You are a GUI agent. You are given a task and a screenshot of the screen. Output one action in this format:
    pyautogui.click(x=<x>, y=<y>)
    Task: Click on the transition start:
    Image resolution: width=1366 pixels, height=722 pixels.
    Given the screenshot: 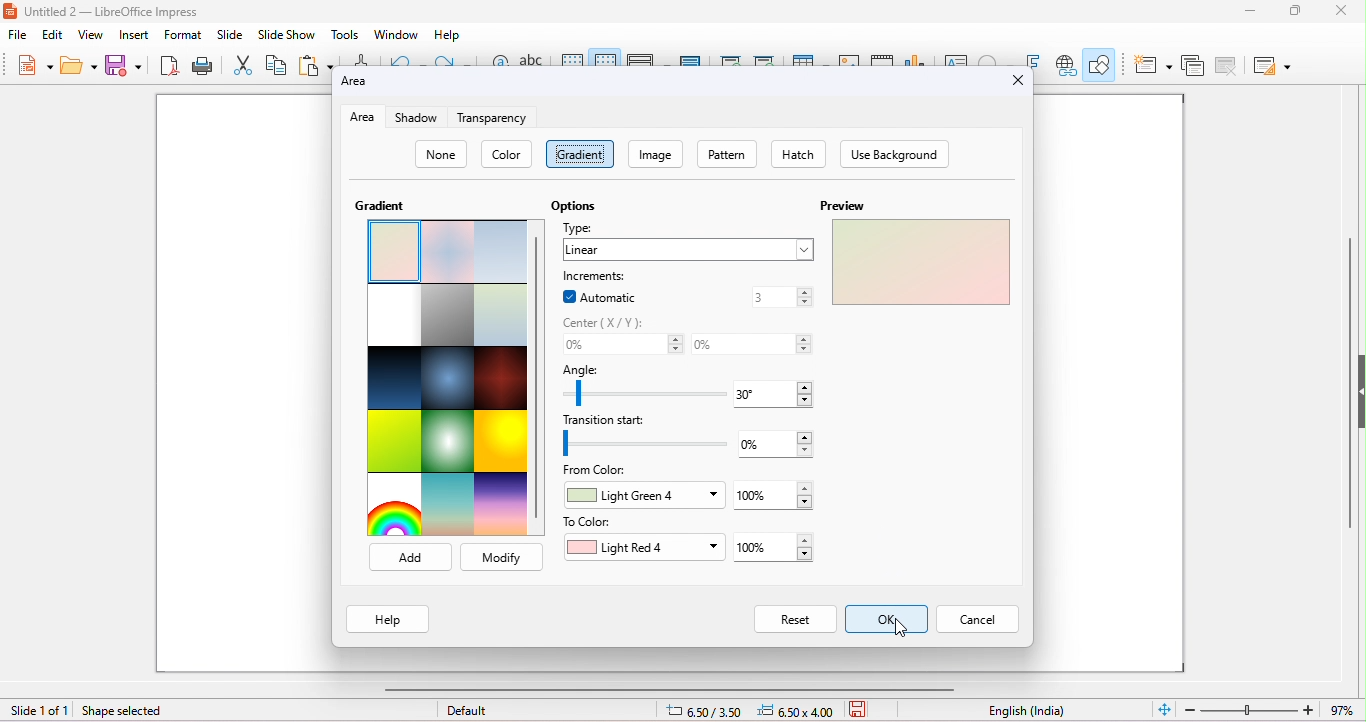 What is the action you would take?
    pyautogui.click(x=618, y=421)
    